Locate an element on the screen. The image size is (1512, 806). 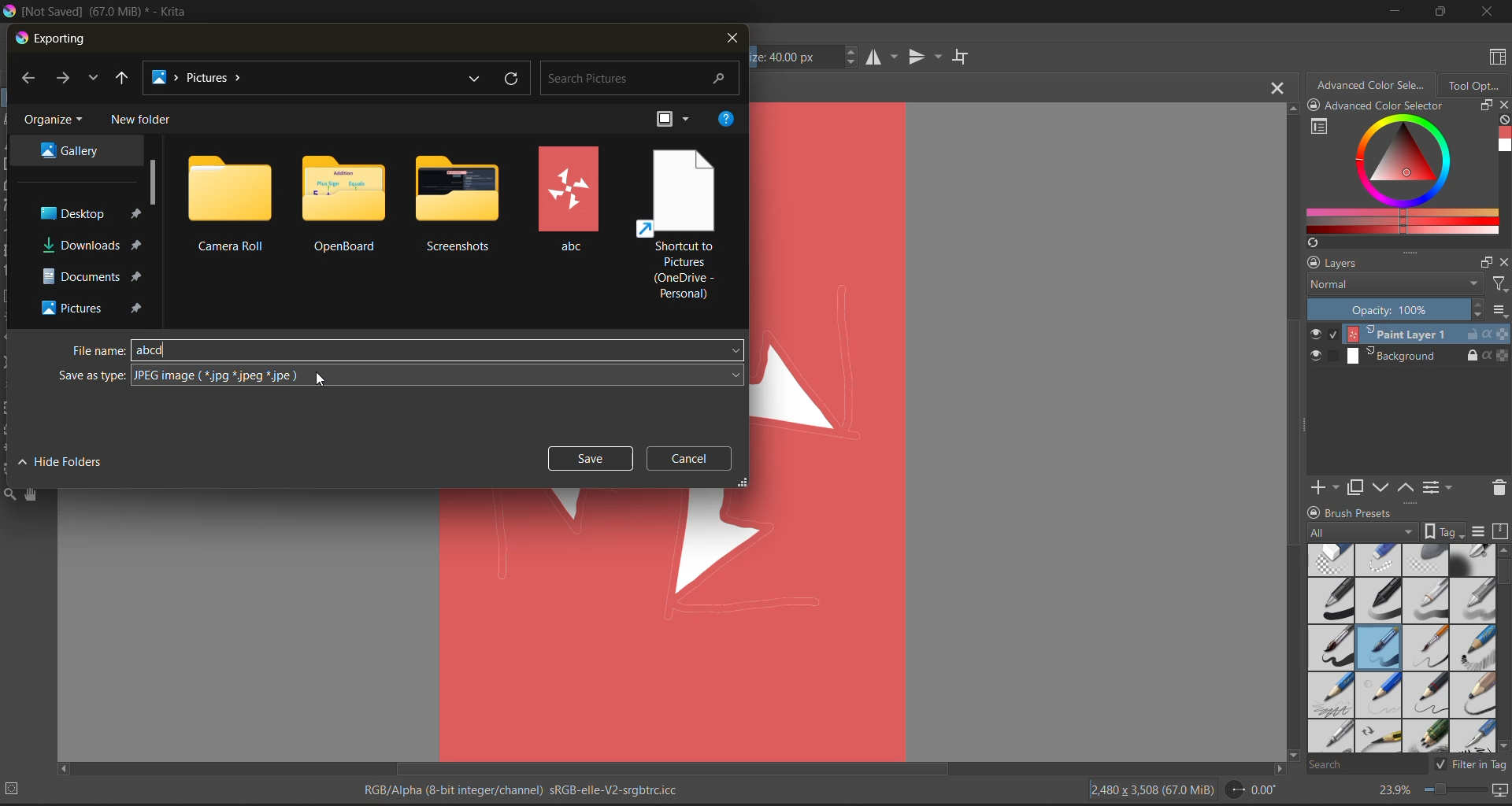
add is located at coordinates (1329, 486).